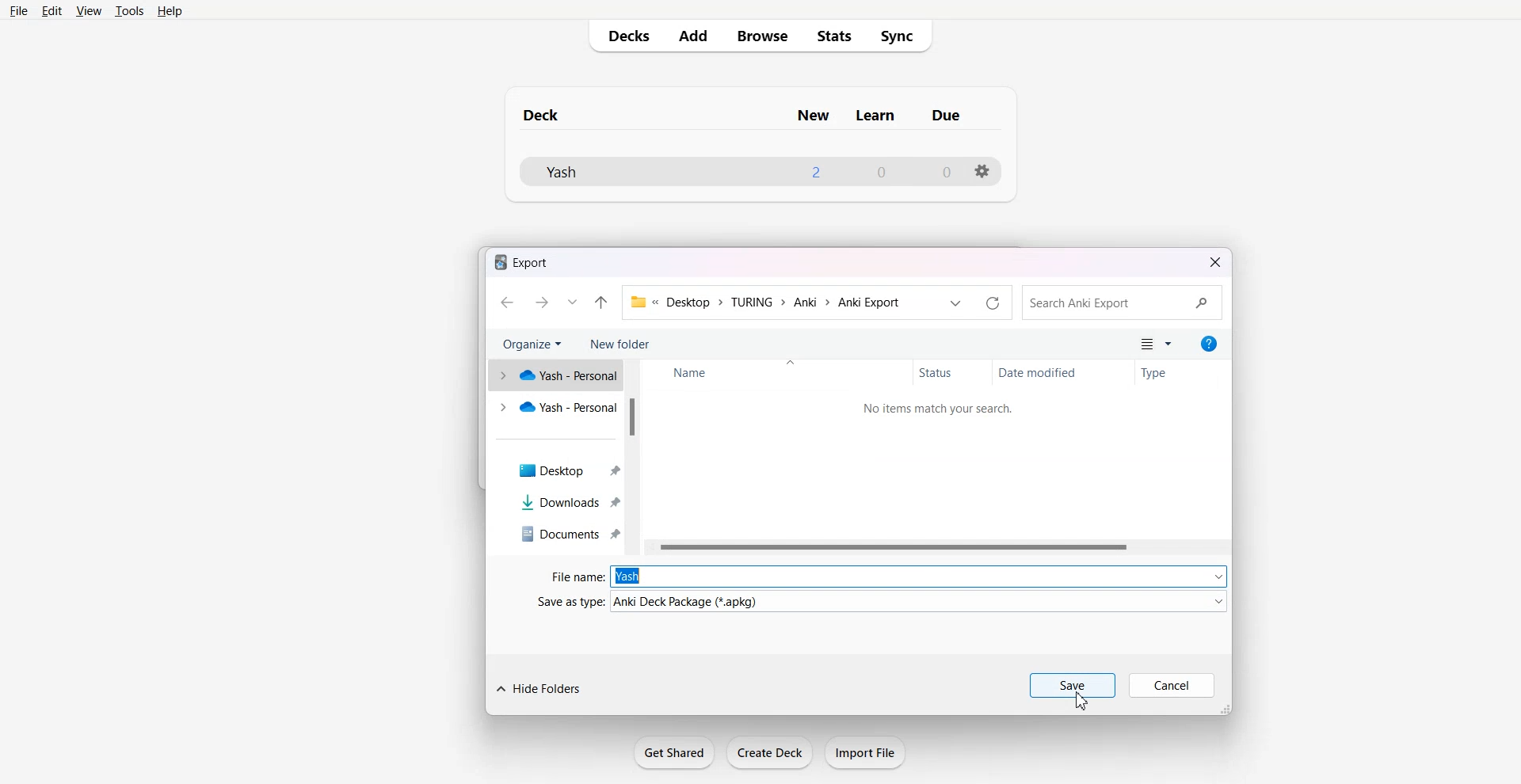  What do you see at coordinates (760, 36) in the screenshot?
I see `Browse` at bounding box center [760, 36].